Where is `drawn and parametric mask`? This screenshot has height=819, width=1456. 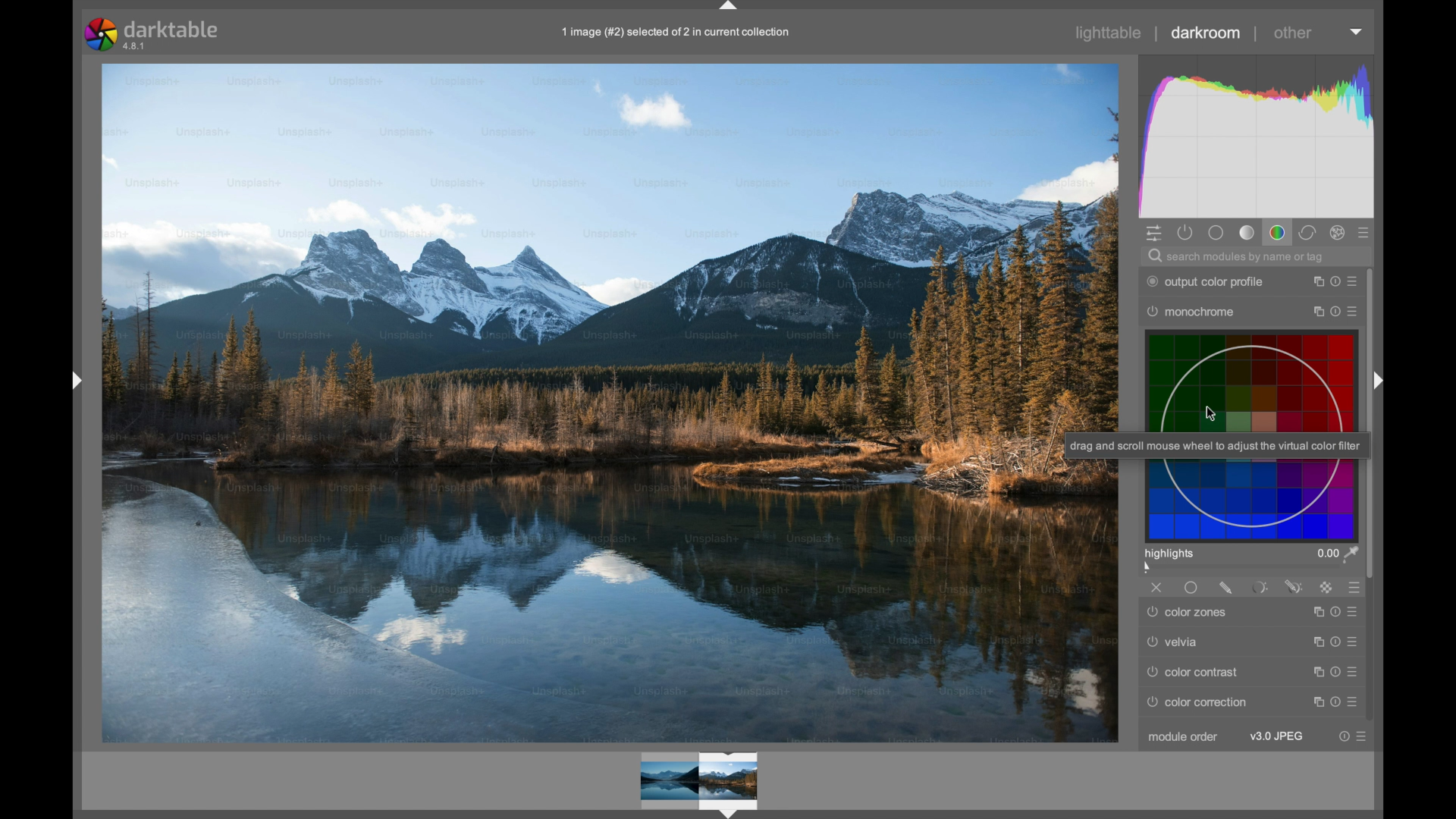 drawn and parametric mask is located at coordinates (1294, 586).